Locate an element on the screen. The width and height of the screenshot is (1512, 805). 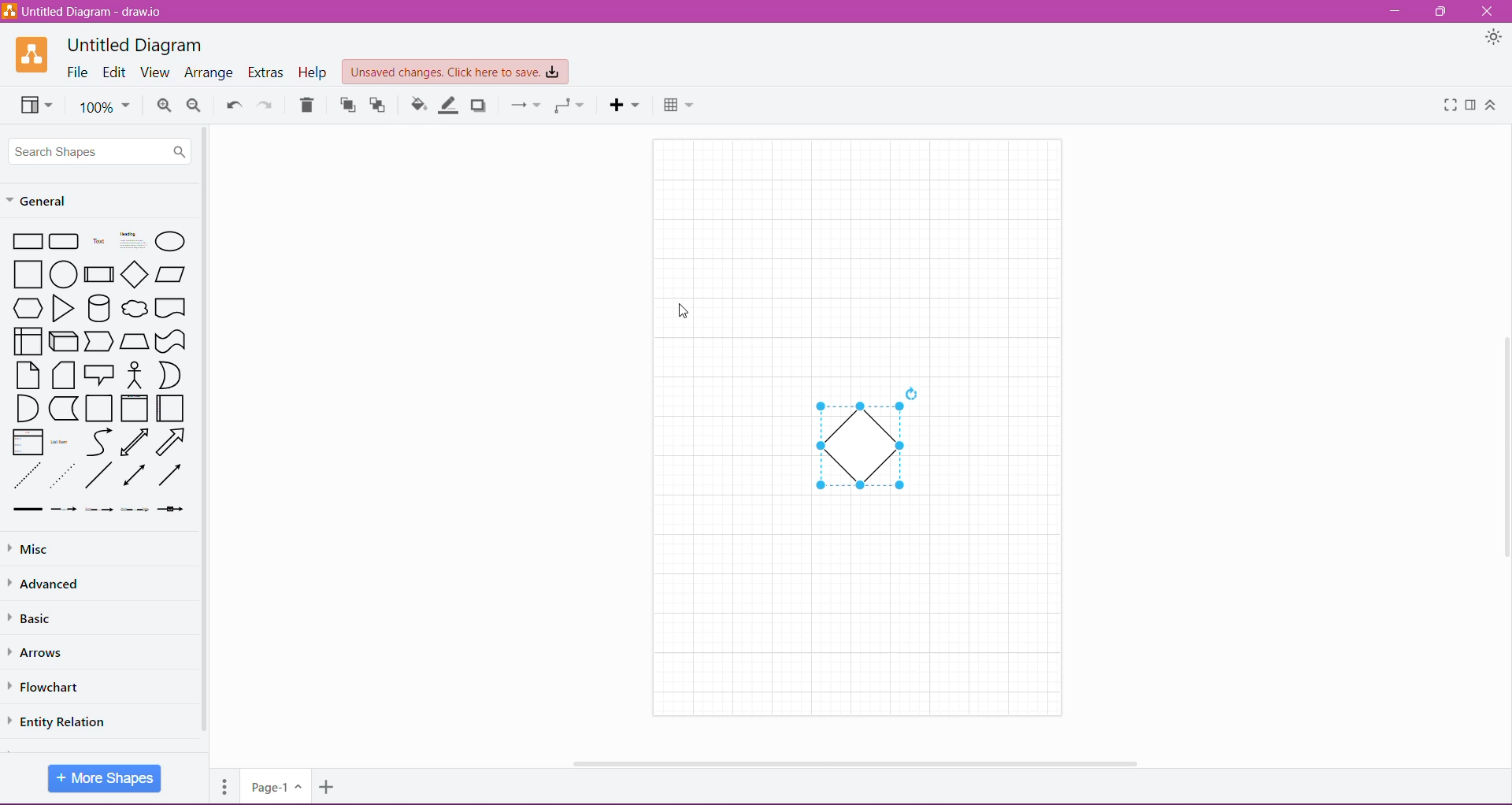
Expand/Collapse is located at coordinates (1492, 107).